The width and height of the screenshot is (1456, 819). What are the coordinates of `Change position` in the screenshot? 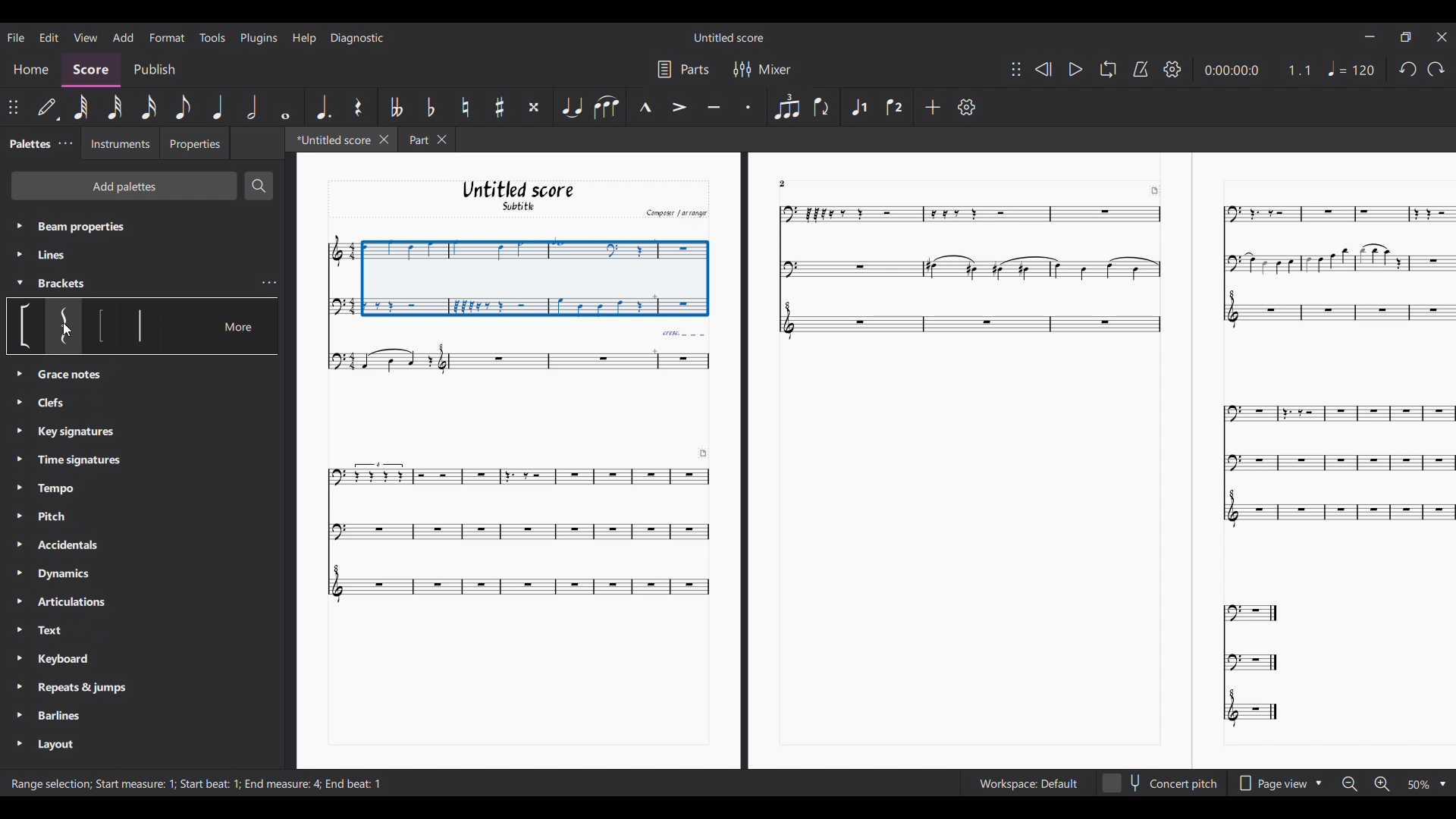 It's located at (13, 108).